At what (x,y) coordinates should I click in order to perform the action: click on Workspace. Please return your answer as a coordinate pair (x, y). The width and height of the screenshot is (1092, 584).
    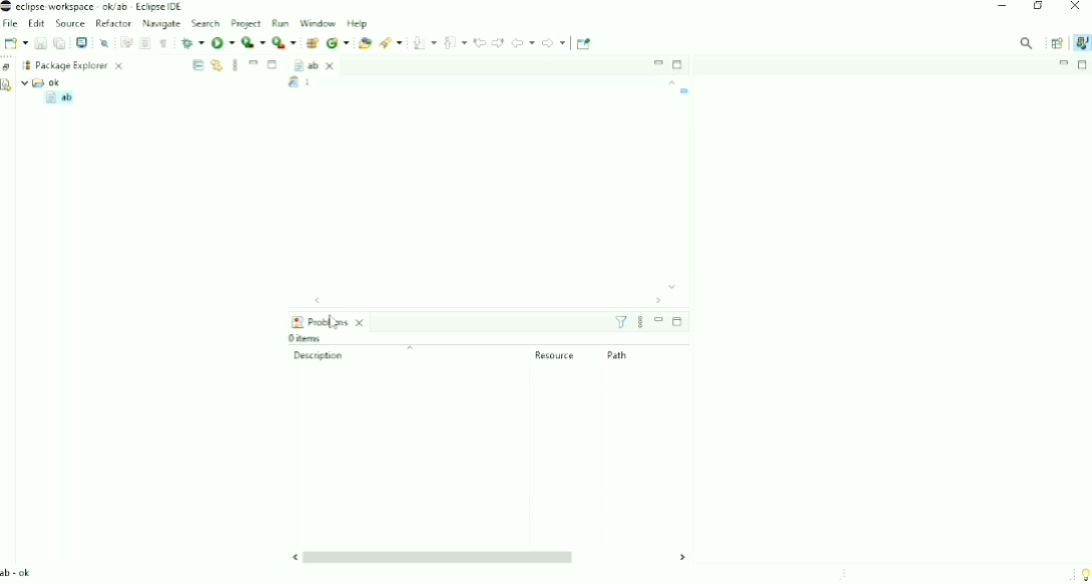
    Looking at the image, I should click on (26, 64).